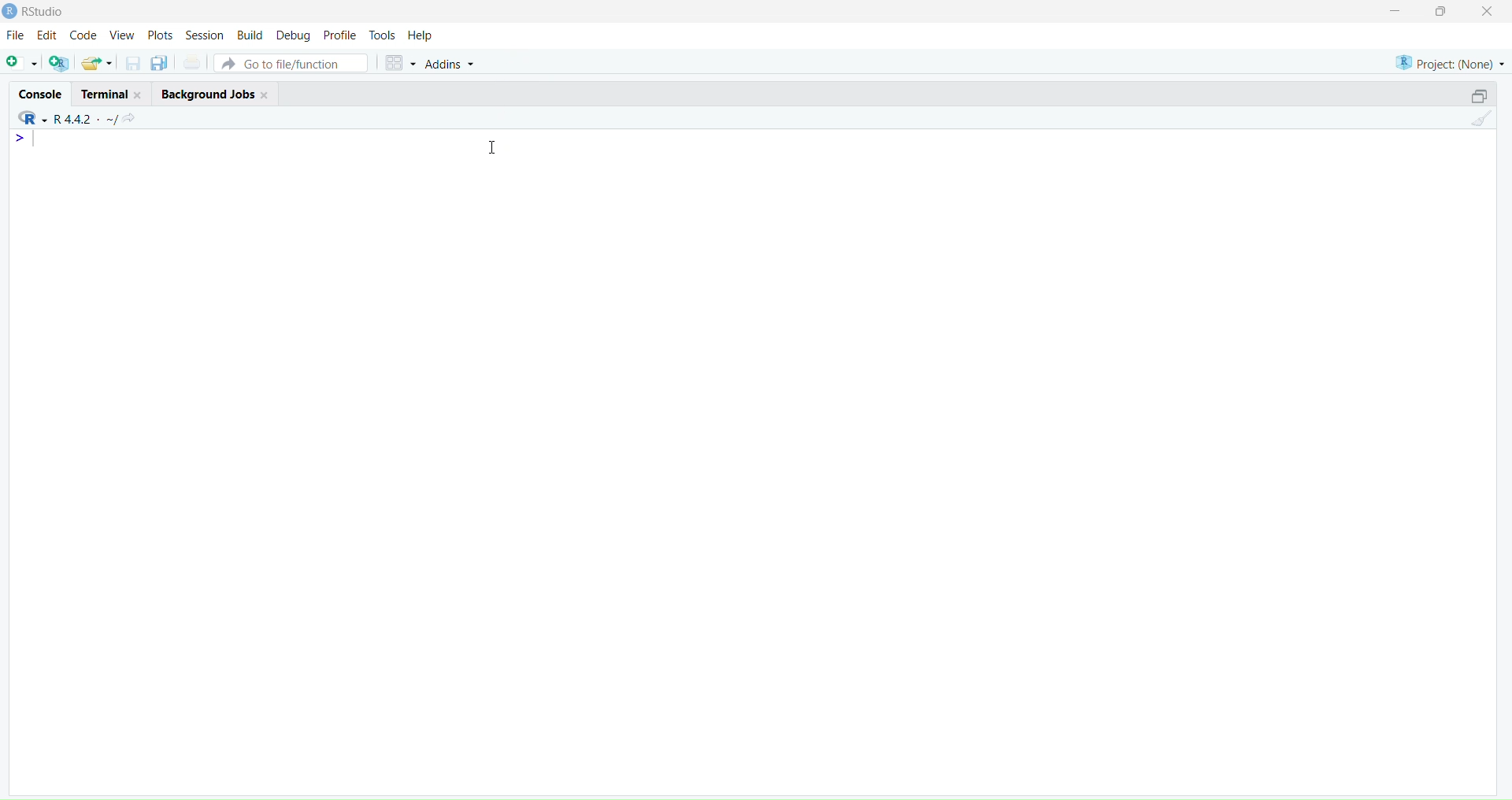  What do you see at coordinates (124, 35) in the screenshot?
I see `view` at bounding box center [124, 35].